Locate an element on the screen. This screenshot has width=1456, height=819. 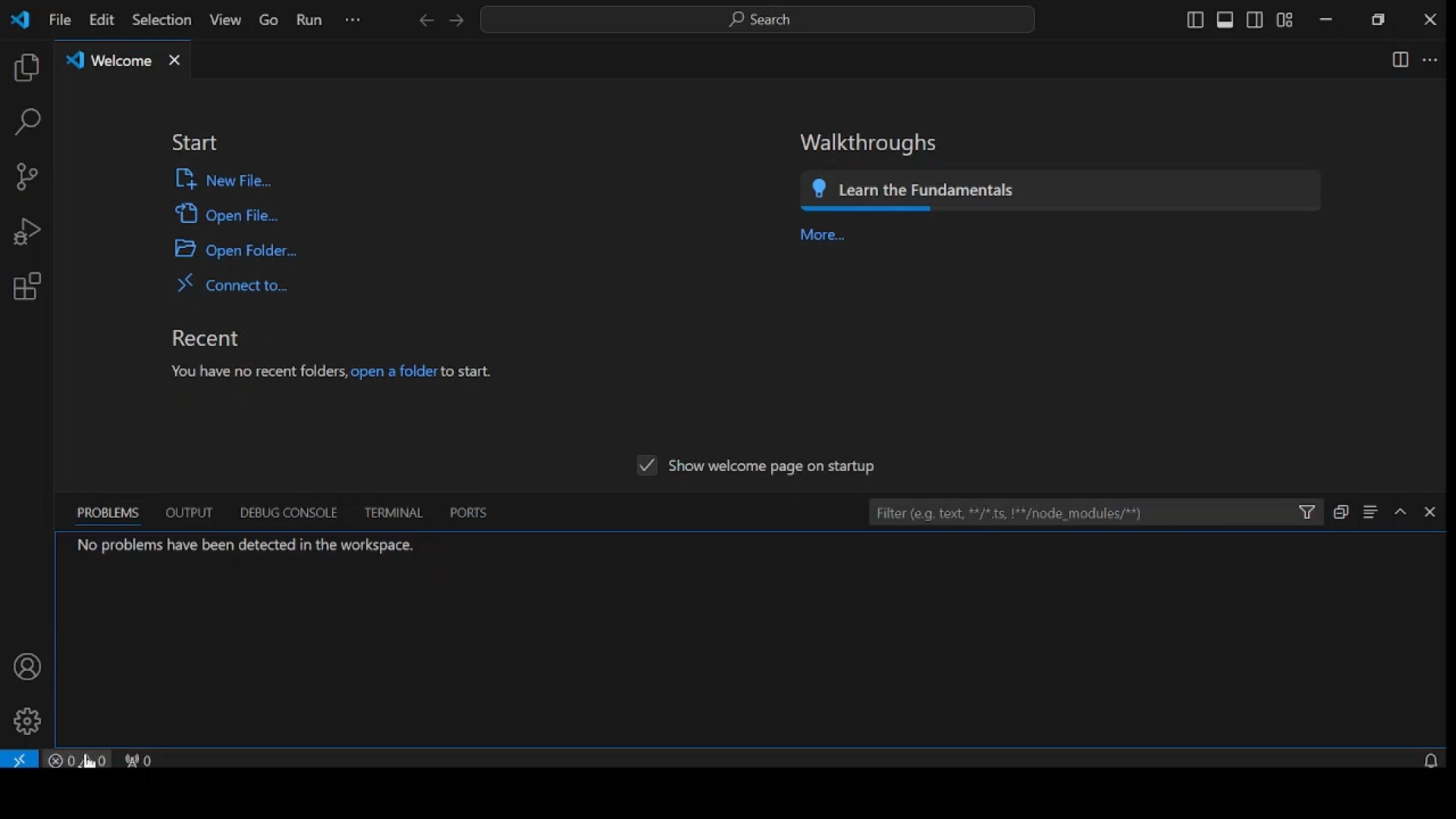
connect to is located at coordinates (236, 284).